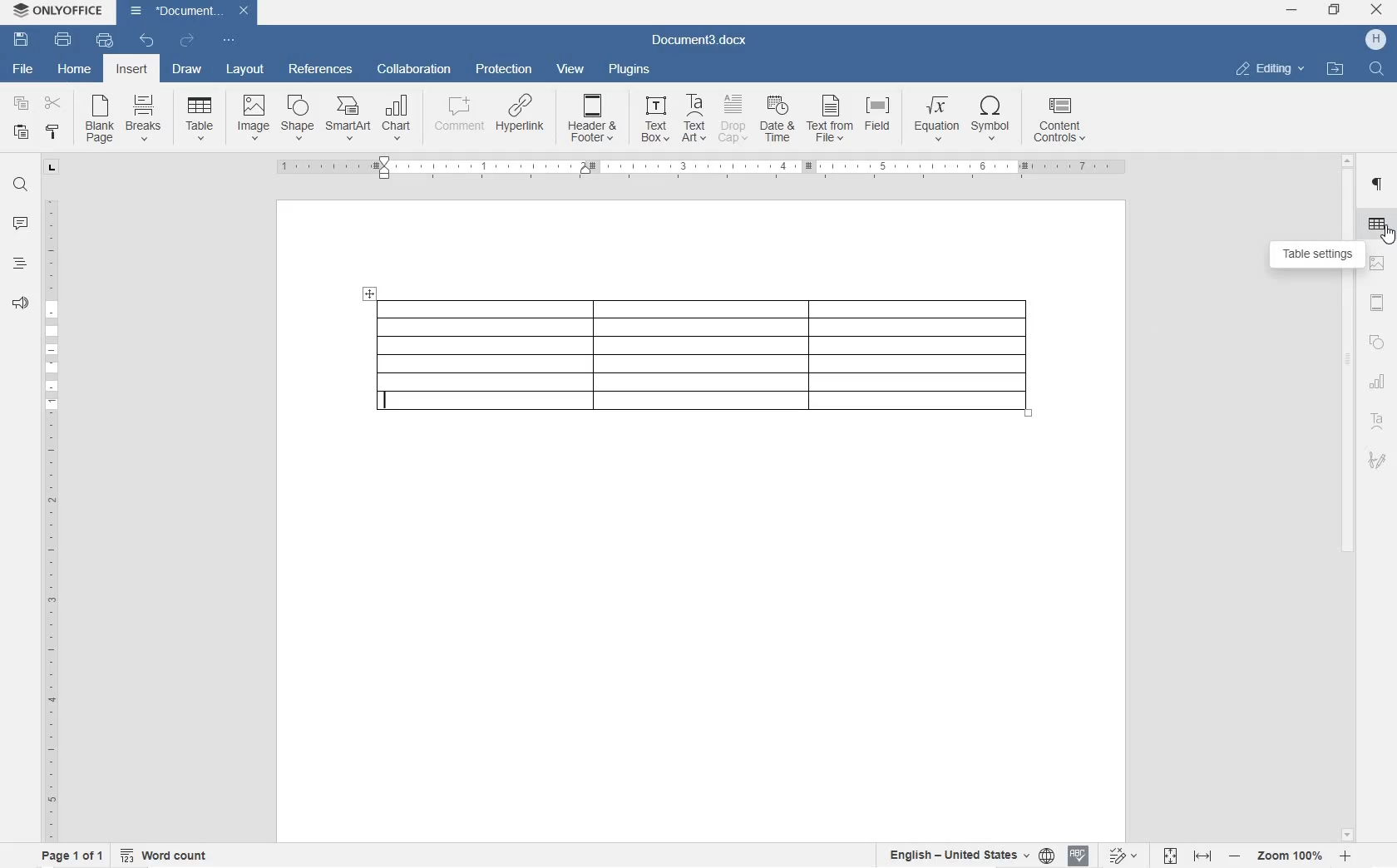 The image size is (1397, 868). I want to click on TABLE SETTINGS, so click(1319, 255).